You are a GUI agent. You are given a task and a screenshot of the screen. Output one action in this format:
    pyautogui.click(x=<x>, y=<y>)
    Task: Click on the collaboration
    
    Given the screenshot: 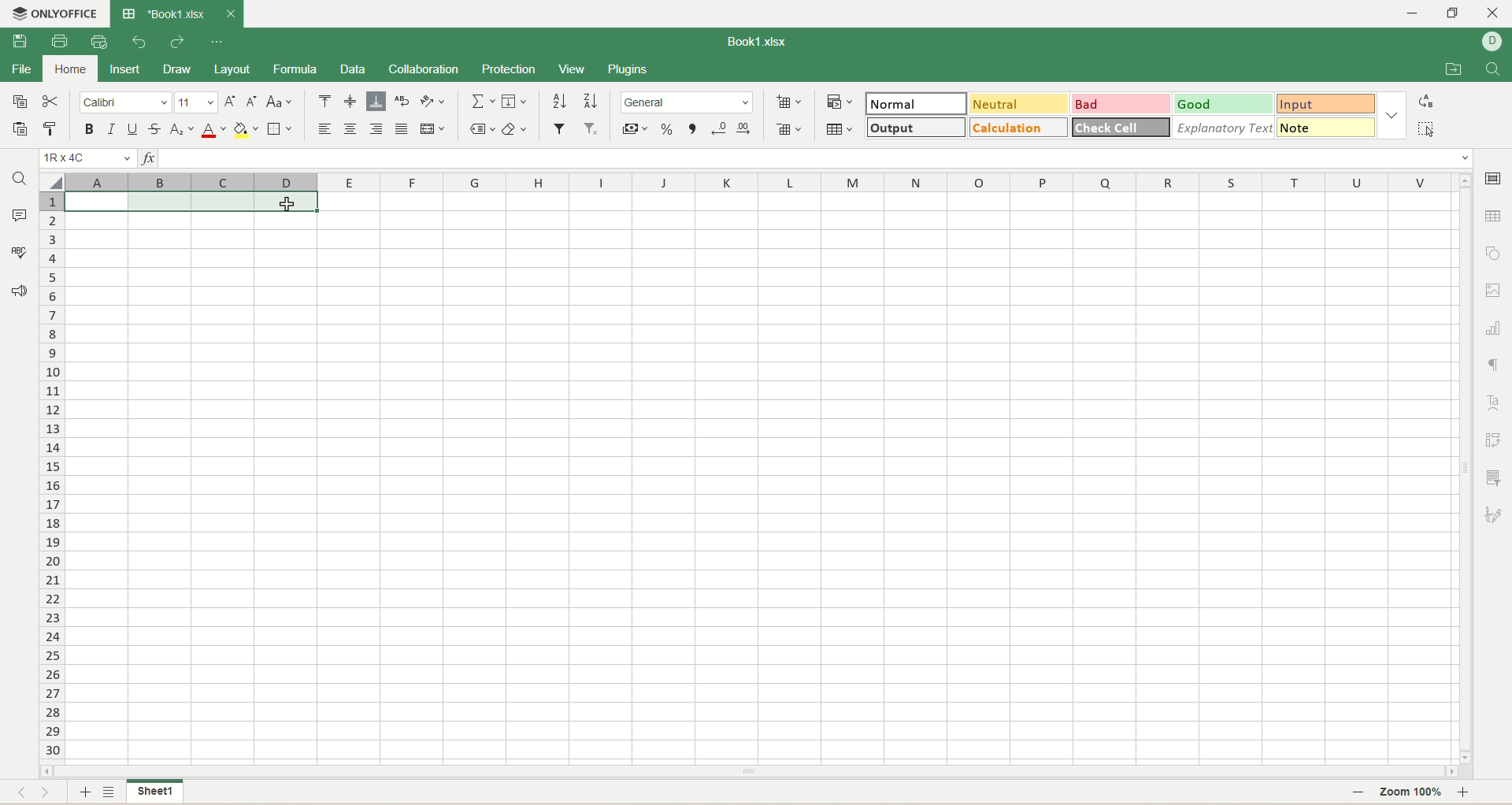 What is the action you would take?
    pyautogui.click(x=426, y=70)
    